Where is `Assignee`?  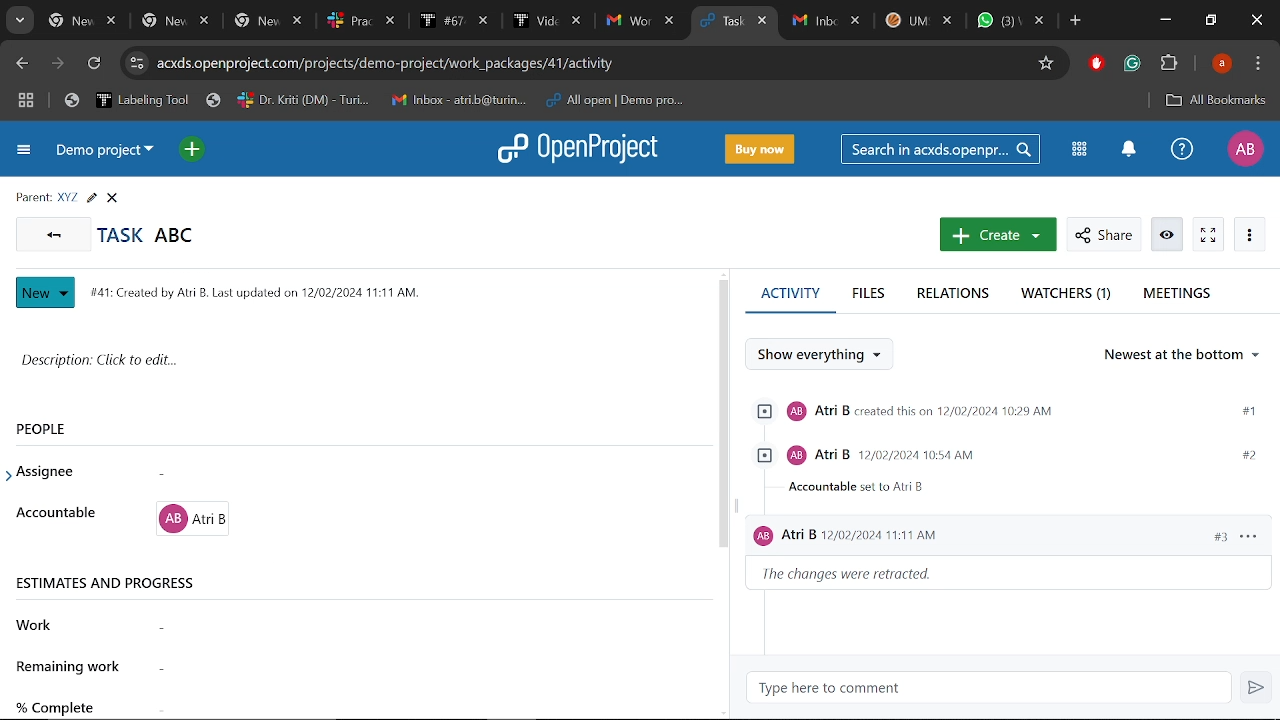 Assignee is located at coordinates (58, 472).